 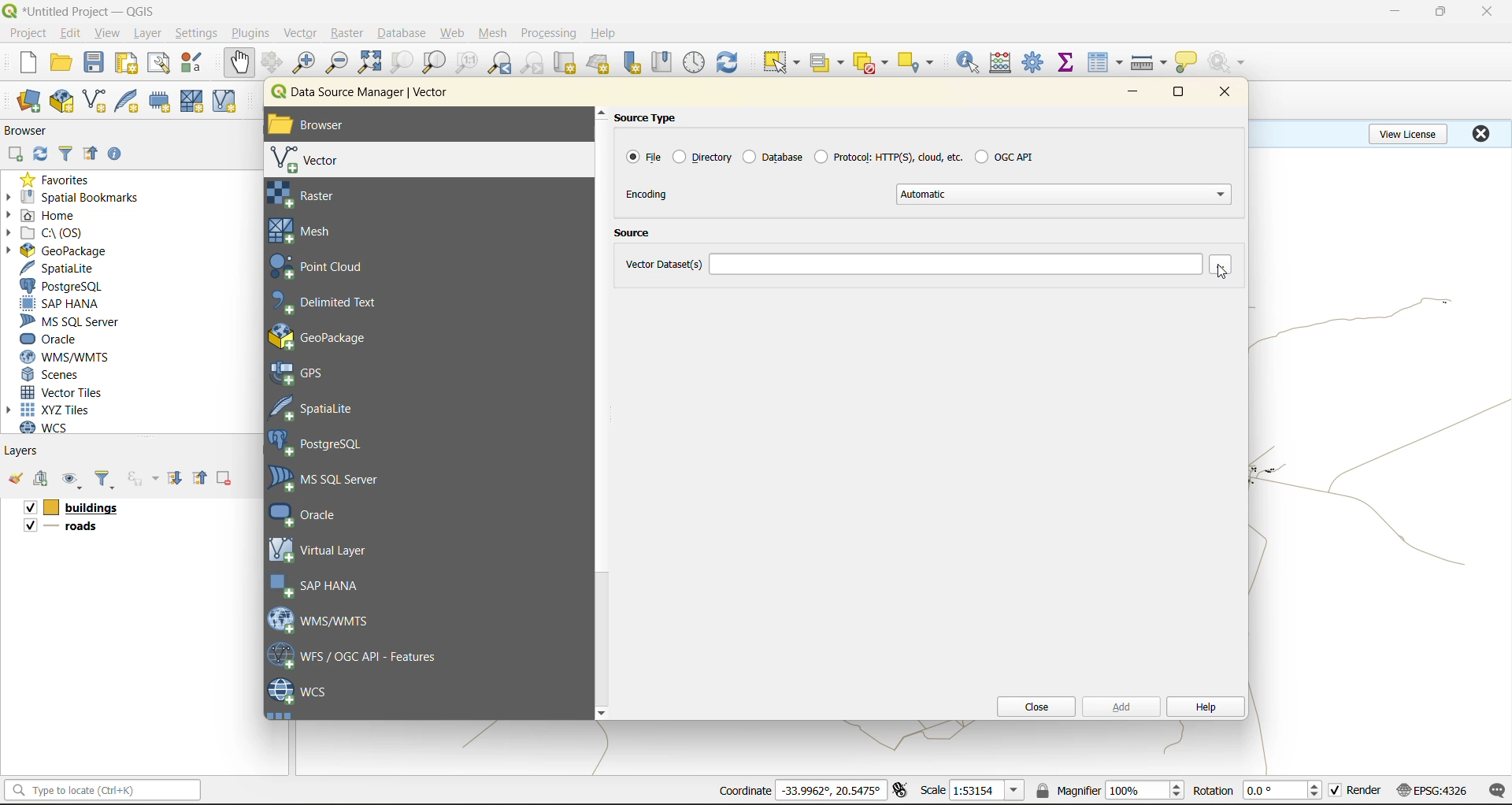 I want to click on web, so click(x=453, y=33).